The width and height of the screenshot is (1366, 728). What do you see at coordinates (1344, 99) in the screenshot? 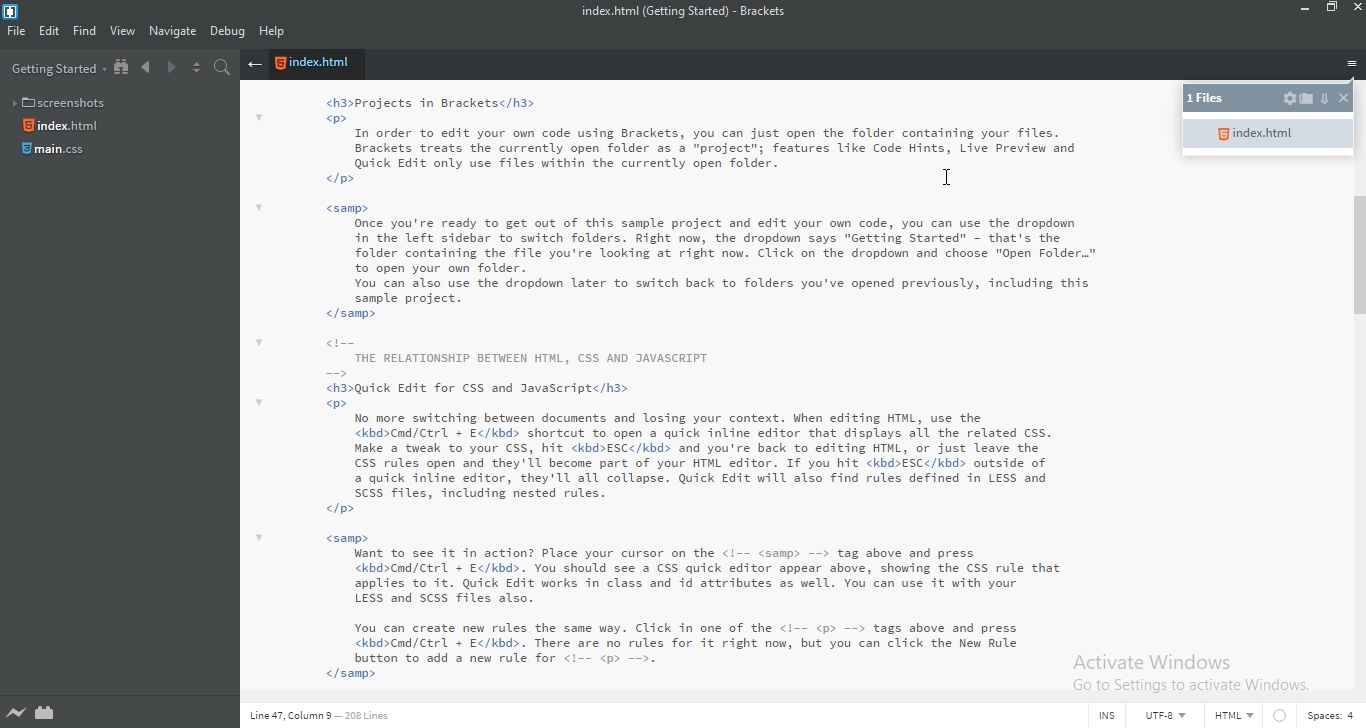
I see `close` at bounding box center [1344, 99].